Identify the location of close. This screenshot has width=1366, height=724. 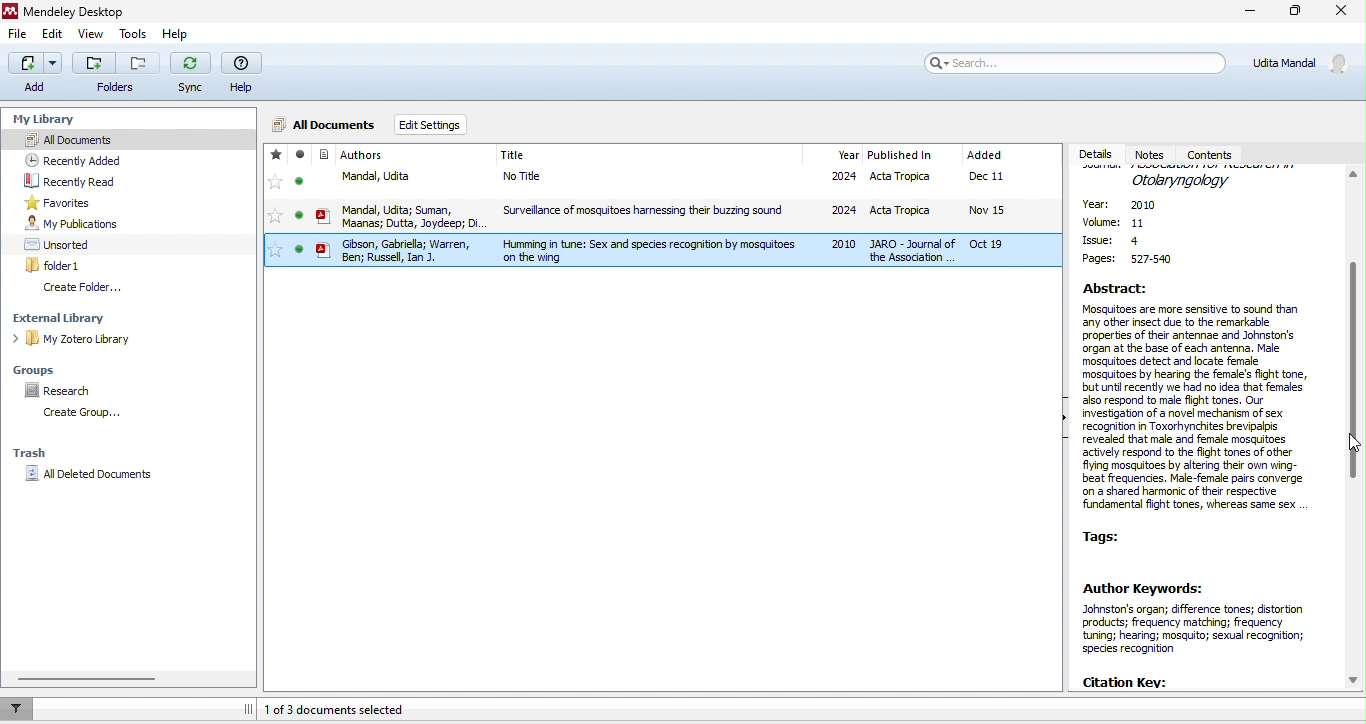
(1340, 14).